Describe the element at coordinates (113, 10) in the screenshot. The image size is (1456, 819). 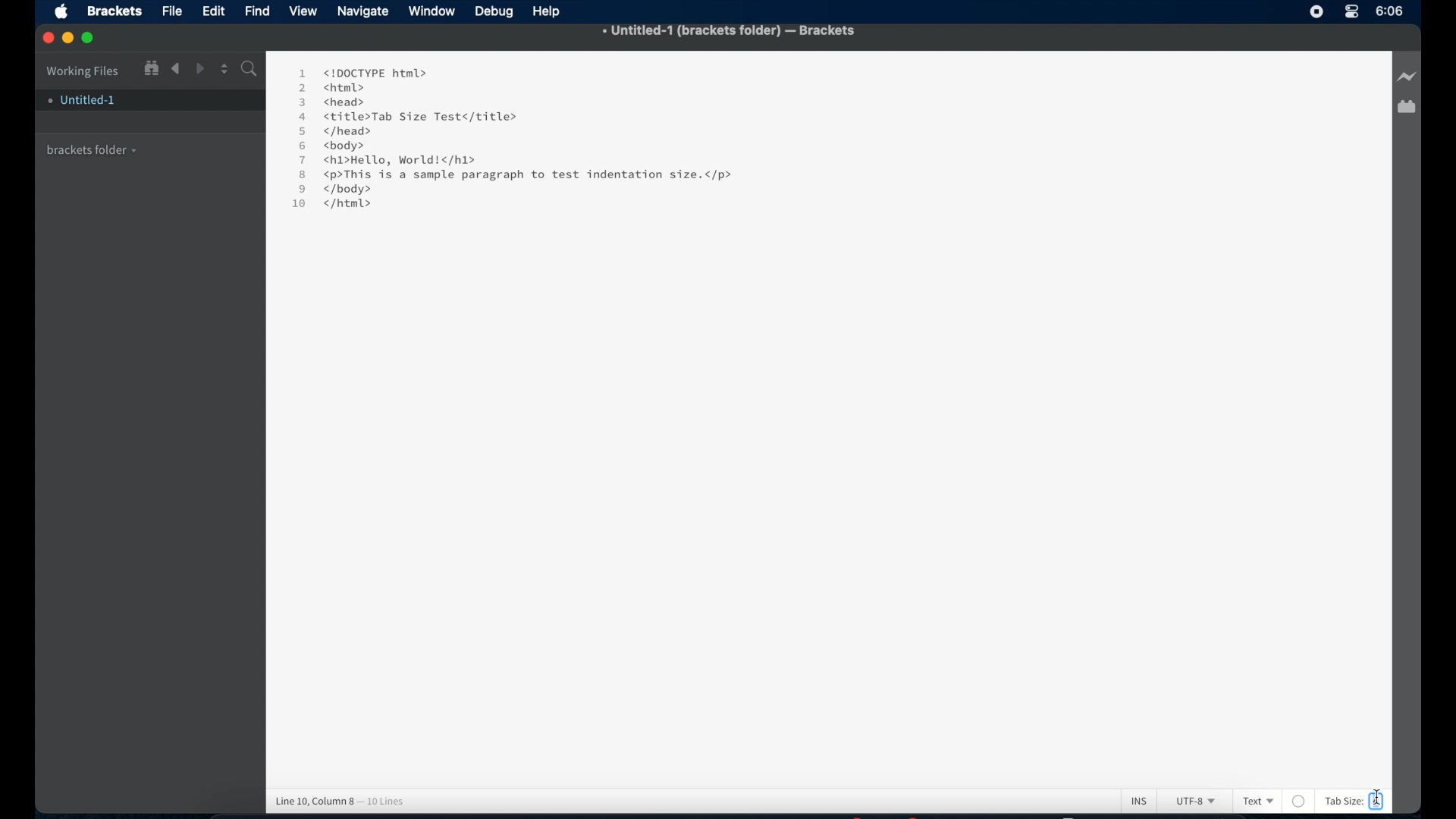
I see `Brackets` at that location.